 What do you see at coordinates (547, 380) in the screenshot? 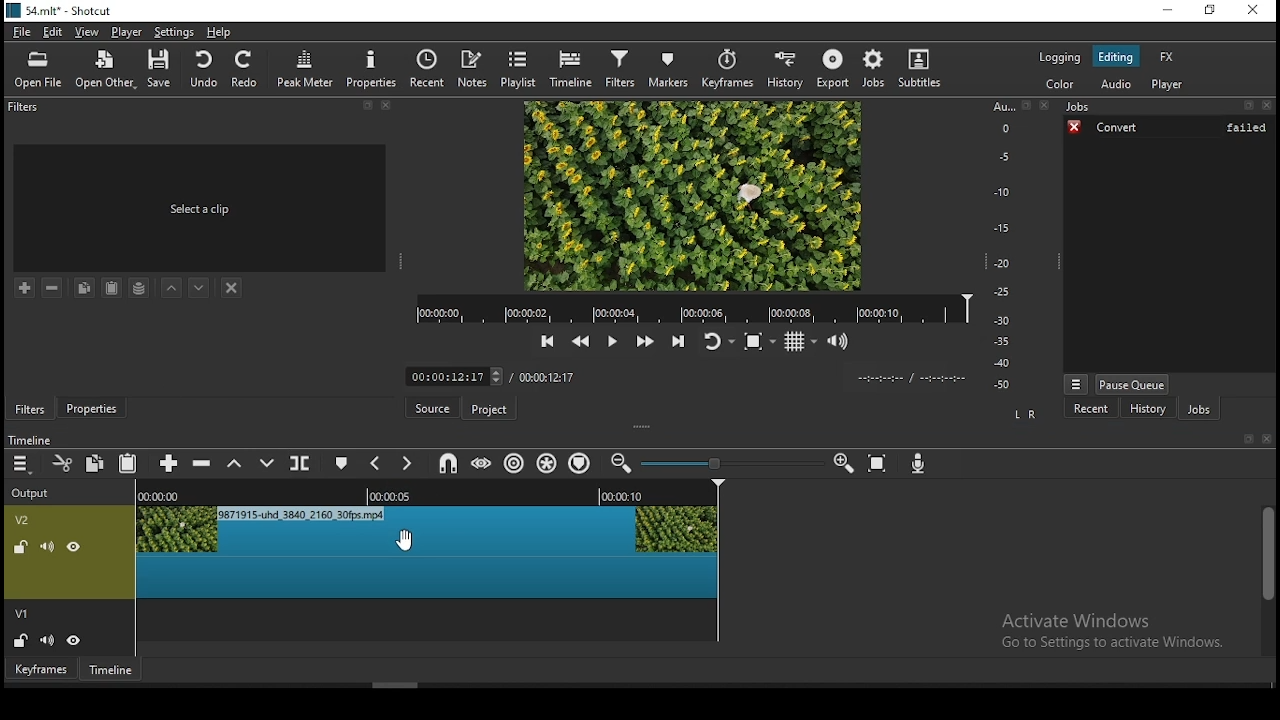
I see `total time` at bounding box center [547, 380].